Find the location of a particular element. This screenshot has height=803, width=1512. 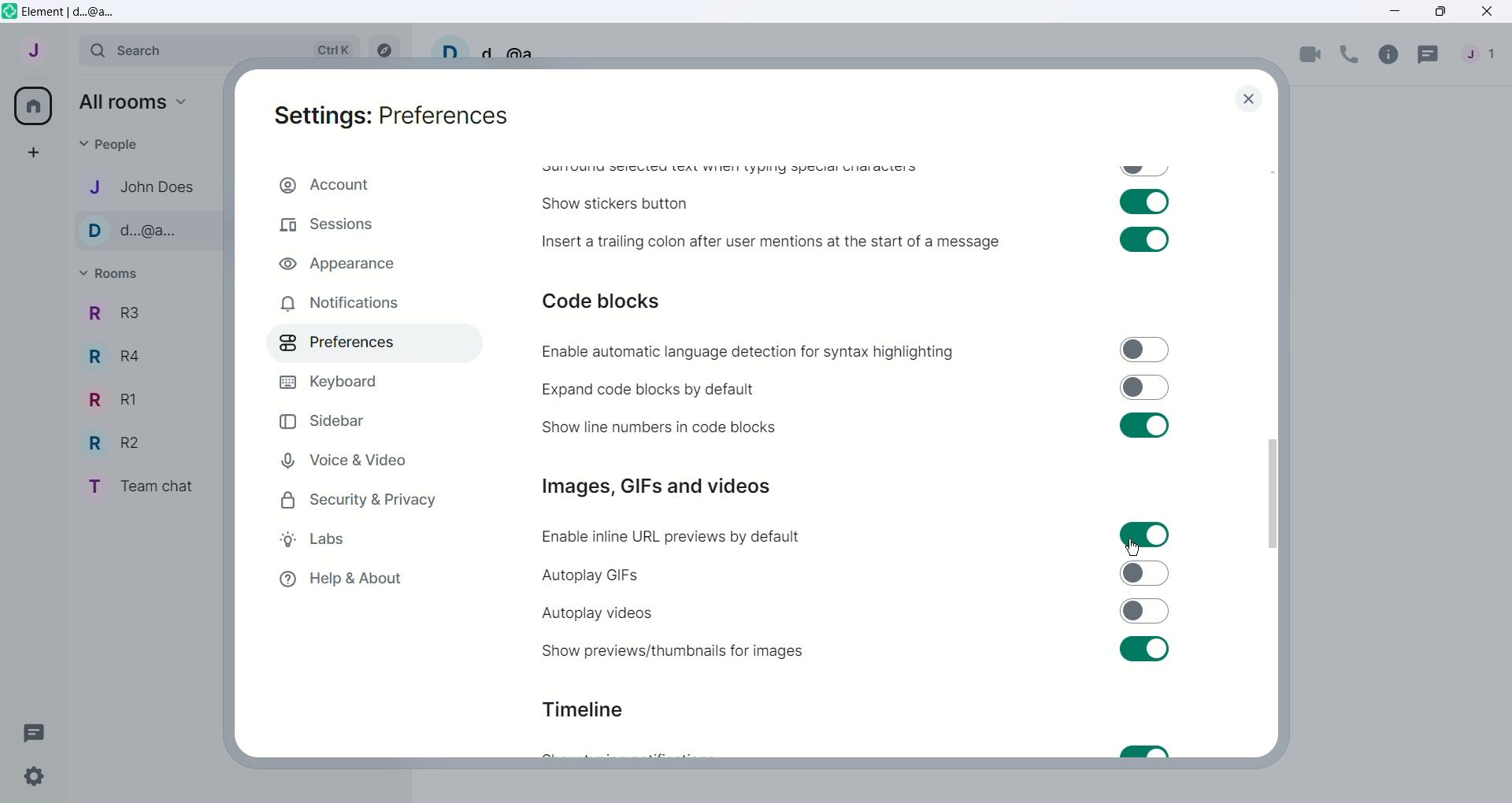

John Does - Contact name is located at coordinates (150, 187).